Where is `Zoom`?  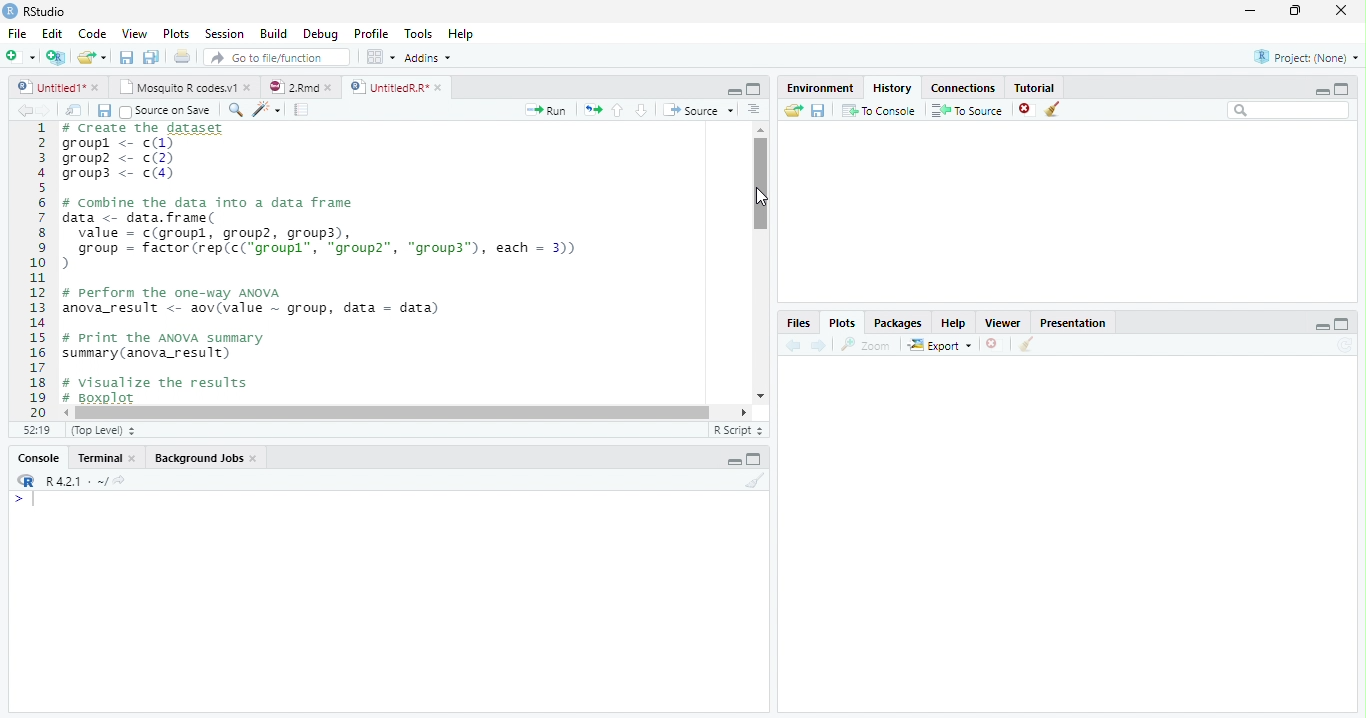 Zoom is located at coordinates (867, 345).